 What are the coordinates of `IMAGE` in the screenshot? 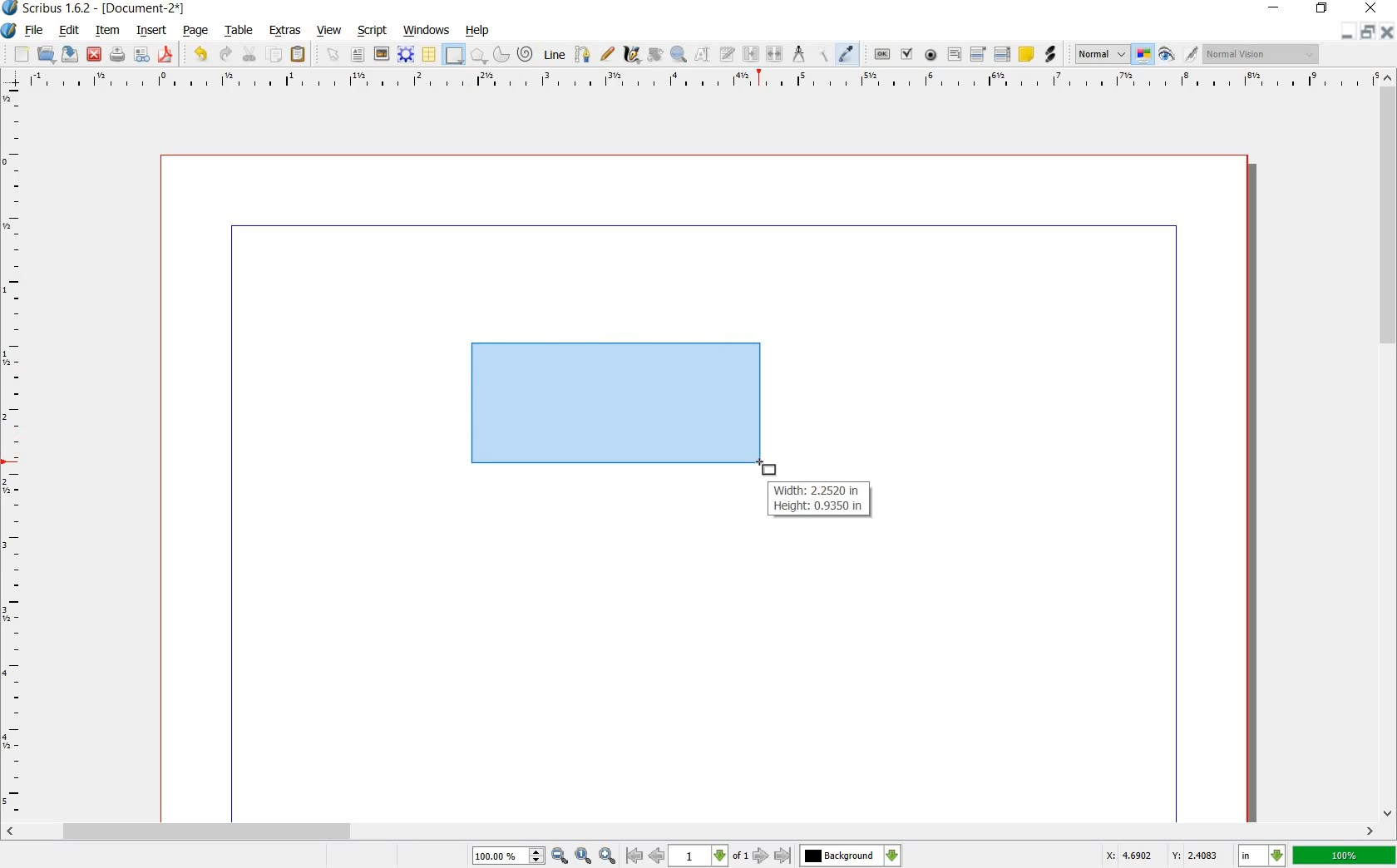 It's located at (382, 53).